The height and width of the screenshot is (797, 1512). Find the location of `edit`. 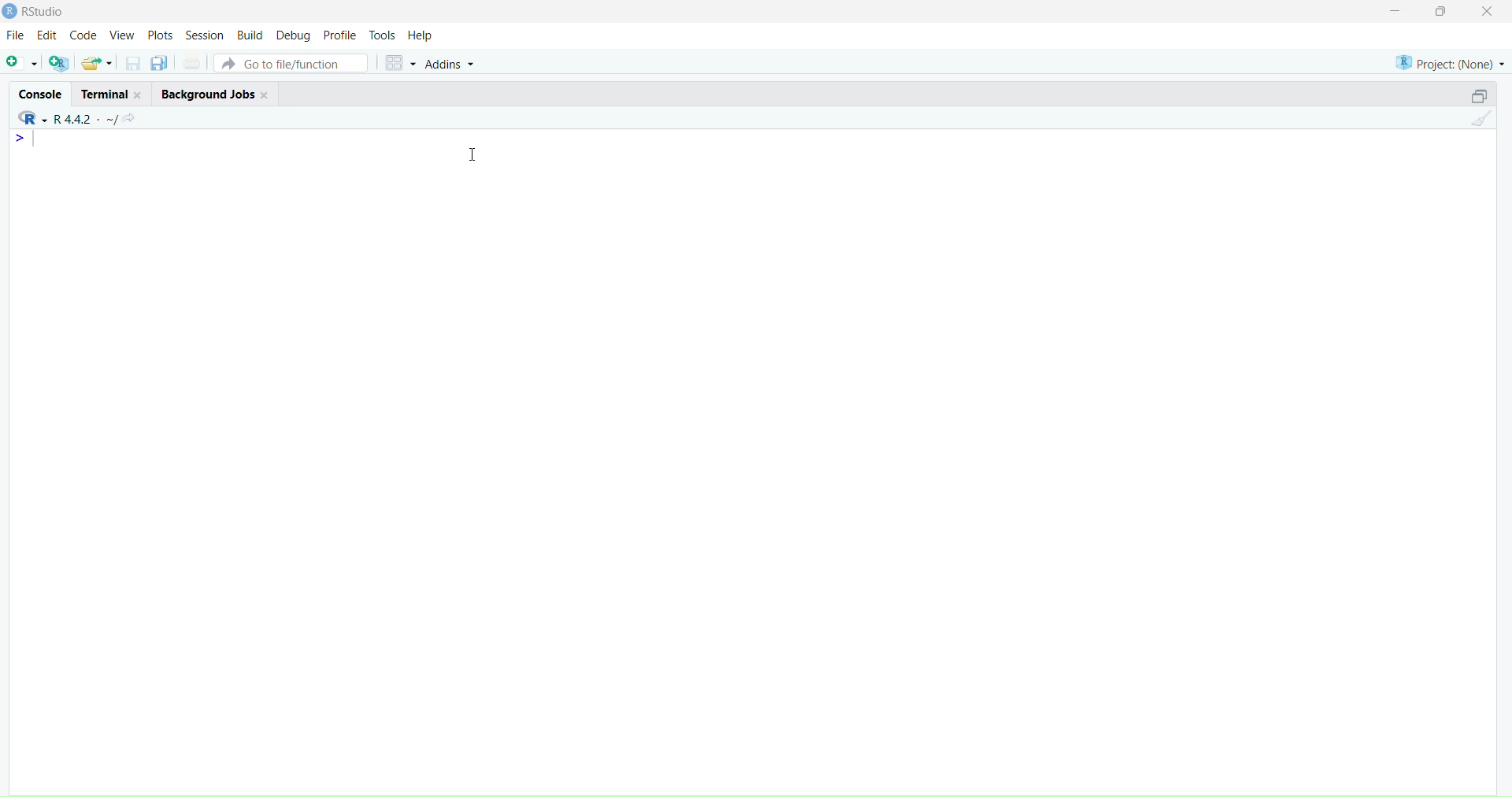

edit is located at coordinates (49, 35).